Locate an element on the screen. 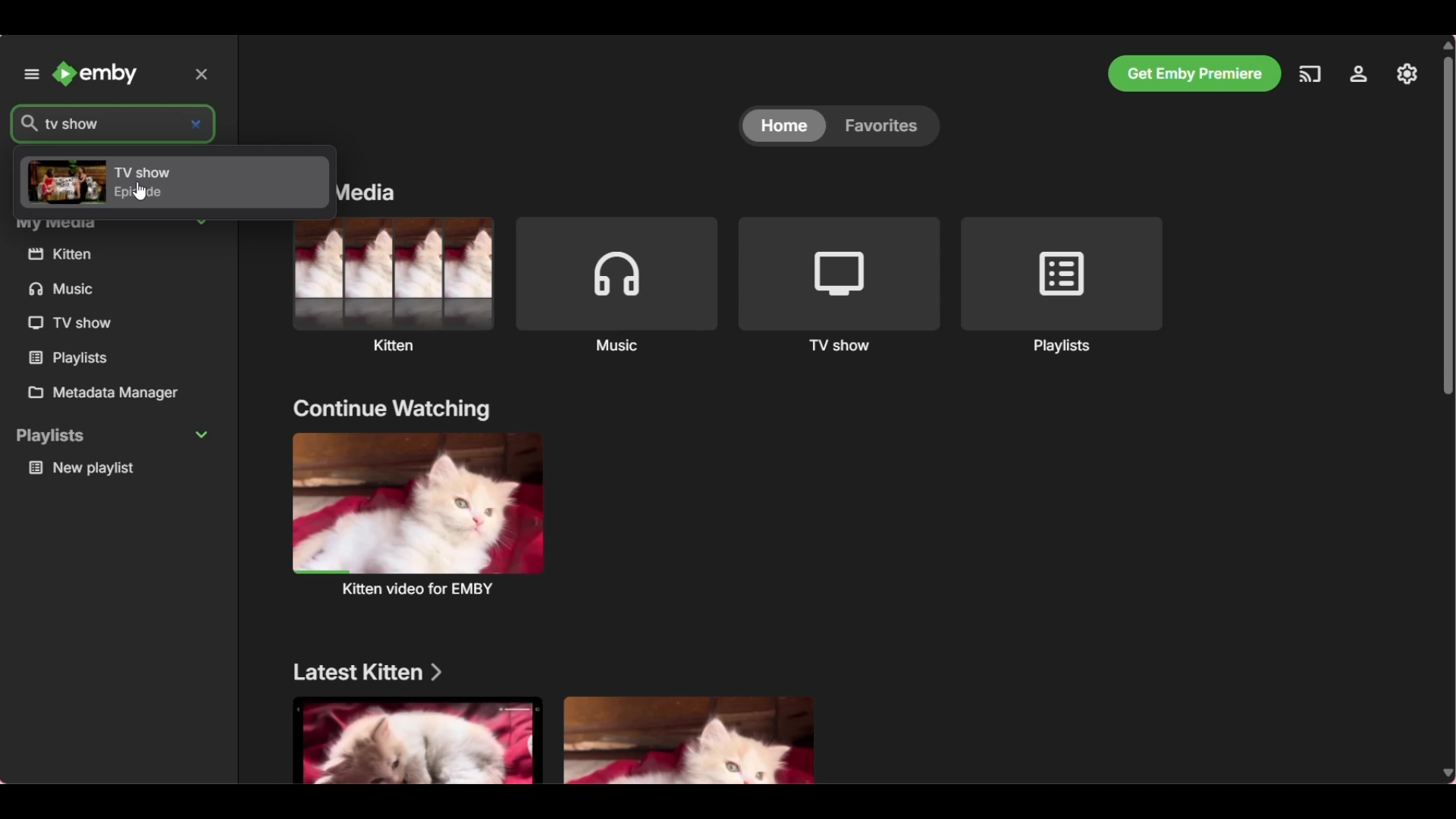  Get Emby premiere is located at coordinates (1194, 74).